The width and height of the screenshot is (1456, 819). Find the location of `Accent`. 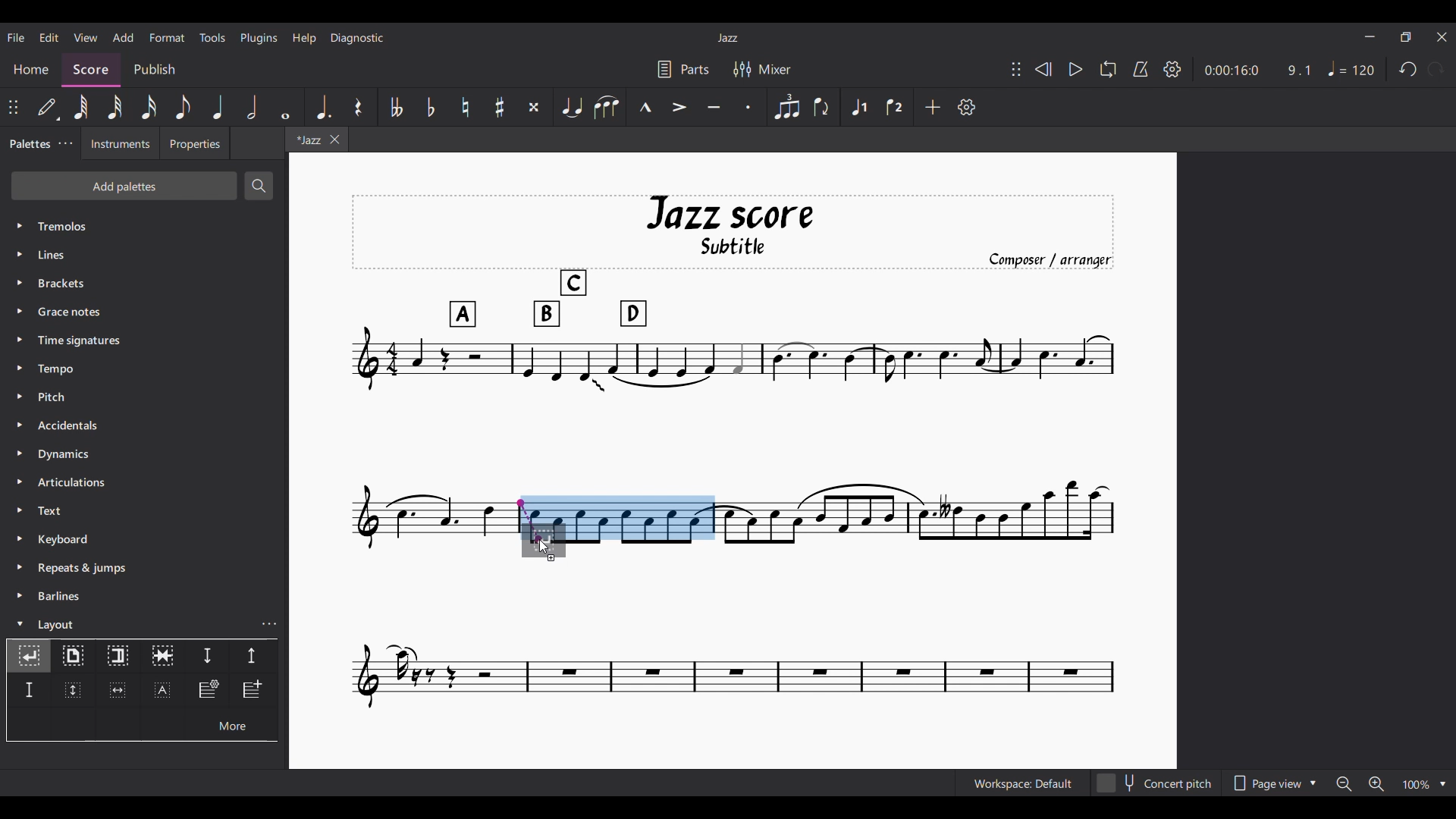

Accent is located at coordinates (678, 108).